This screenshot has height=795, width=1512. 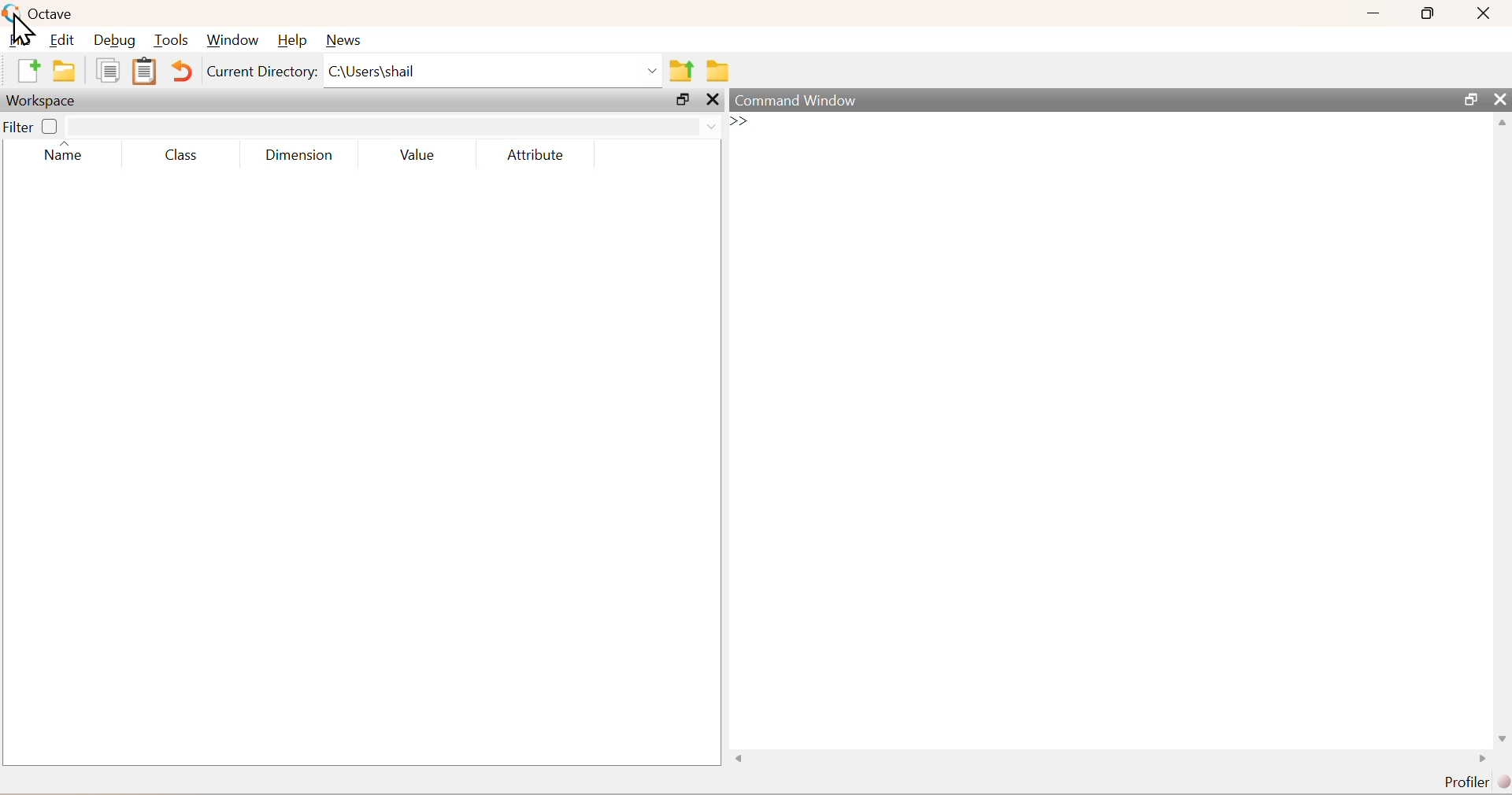 What do you see at coordinates (182, 156) in the screenshot?
I see `Class` at bounding box center [182, 156].